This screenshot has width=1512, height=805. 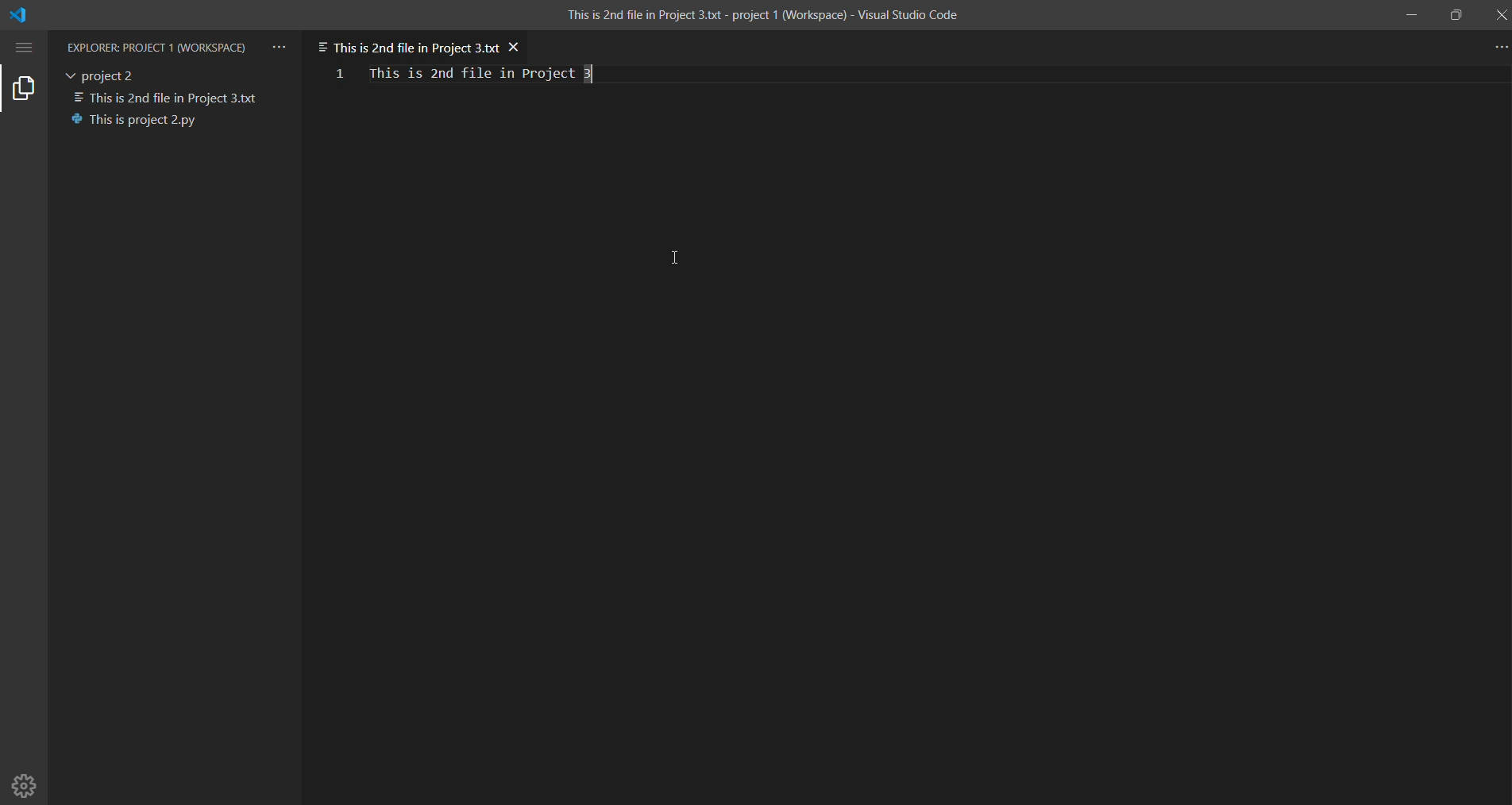 I want to click on This is 2nd file in Proiect 3.txt, so click(x=169, y=95).